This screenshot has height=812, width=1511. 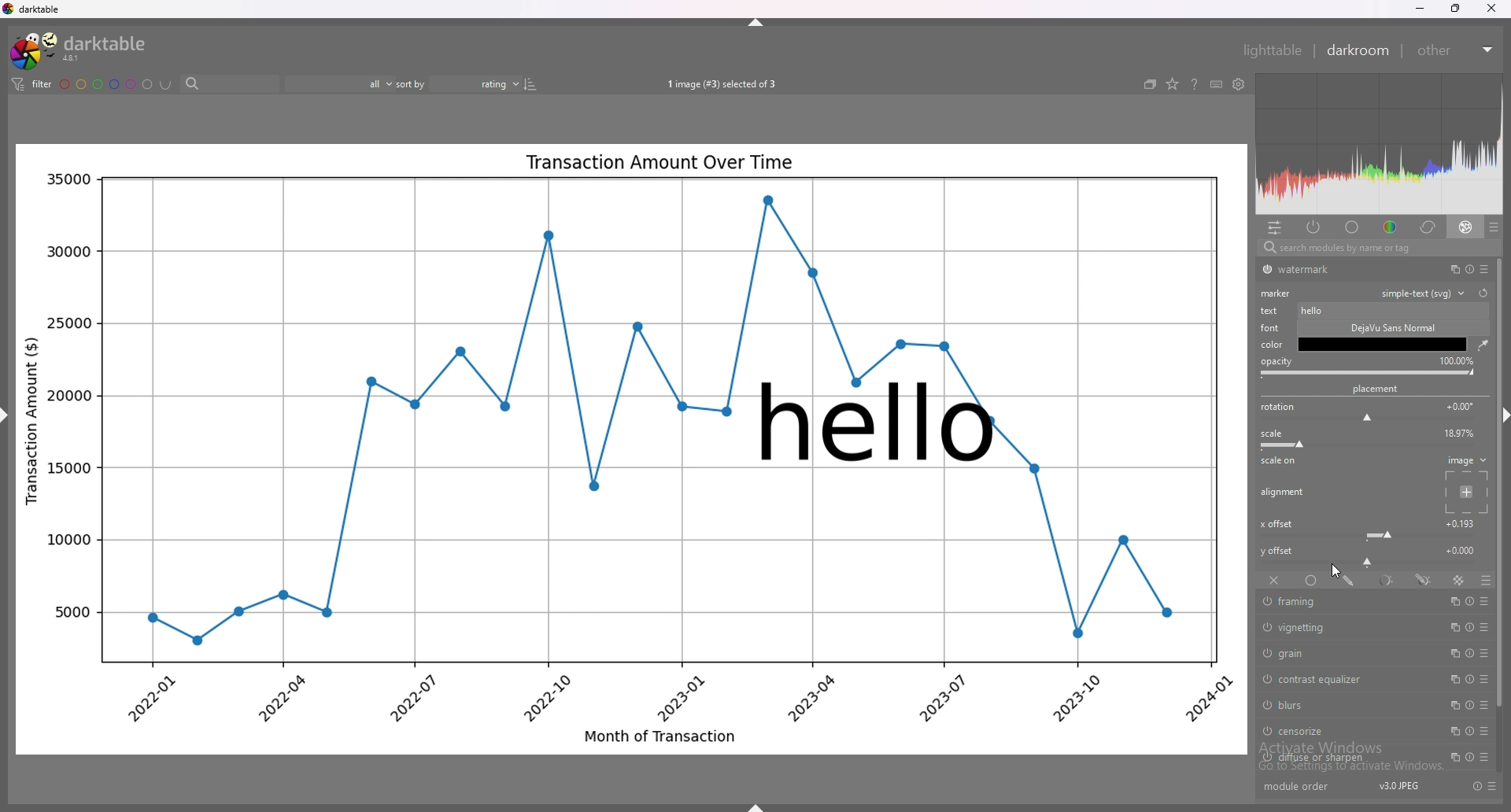 What do you see at coordinates (1470, 731) in the screenshot?
I see `reset` at bounding box center [1470, 731].